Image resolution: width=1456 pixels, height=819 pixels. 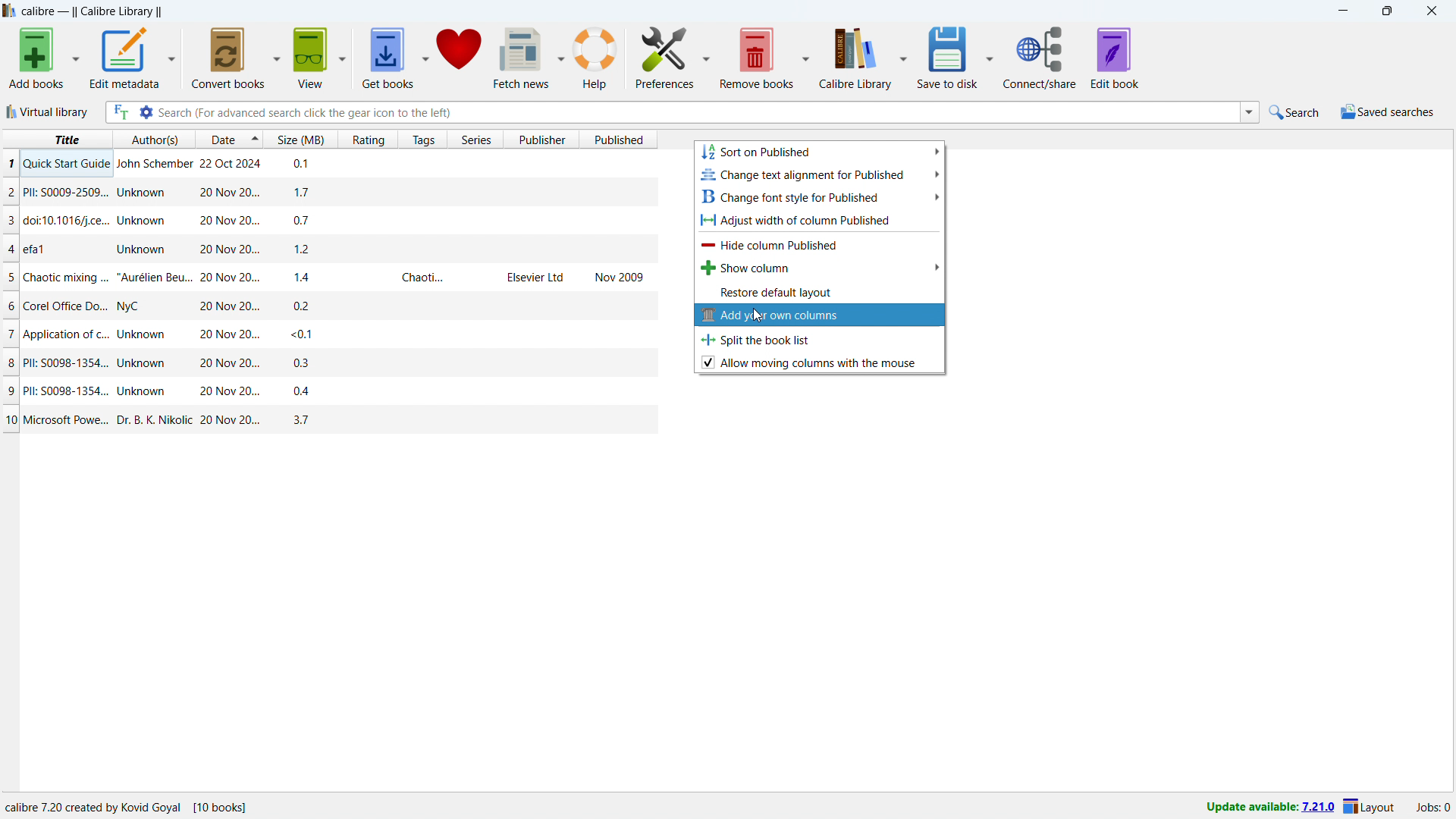 I want to click on fetch news, so click(x=520, y=58).